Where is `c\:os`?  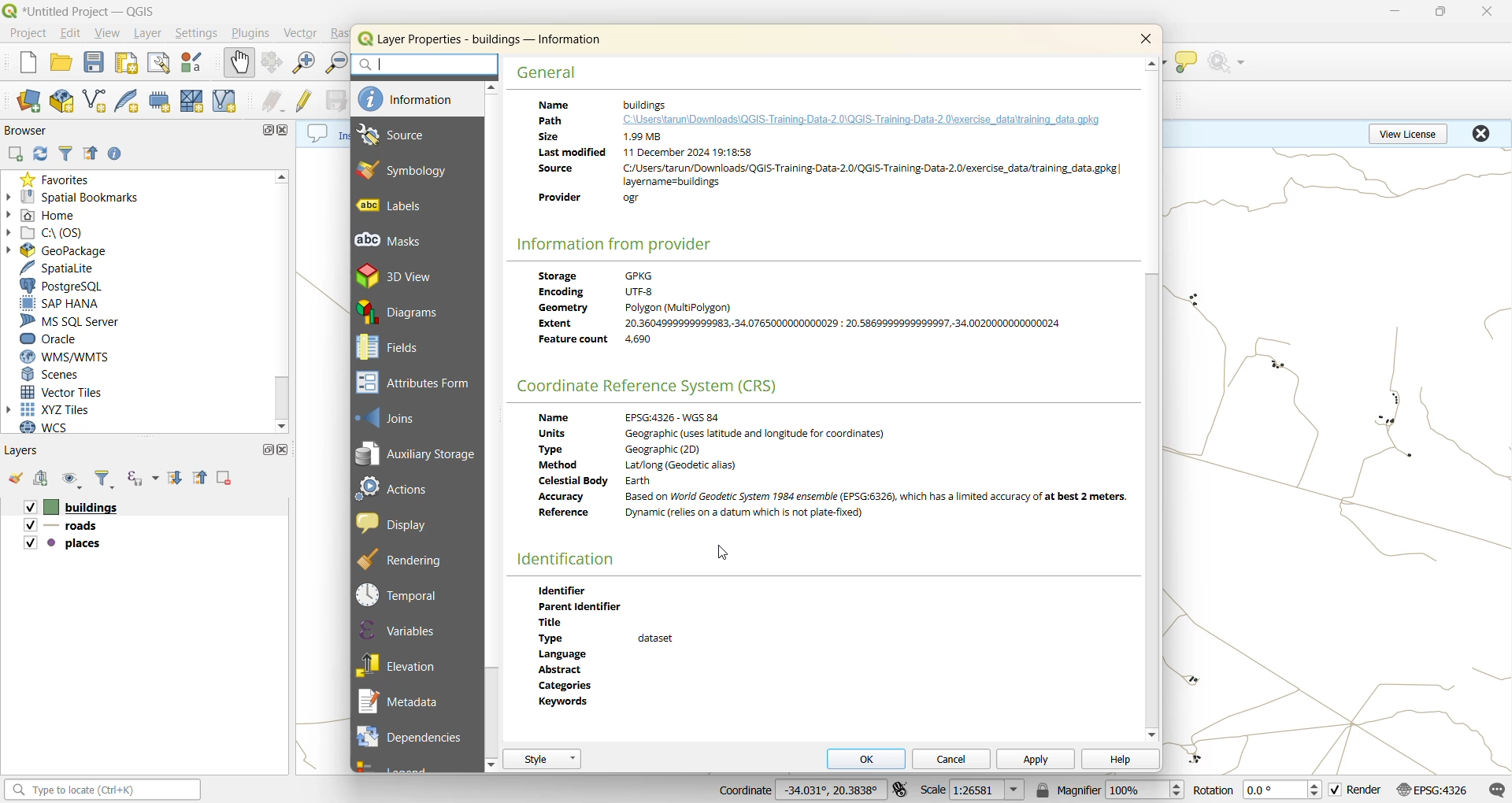 c\:os is located at coordinates (57, 233).